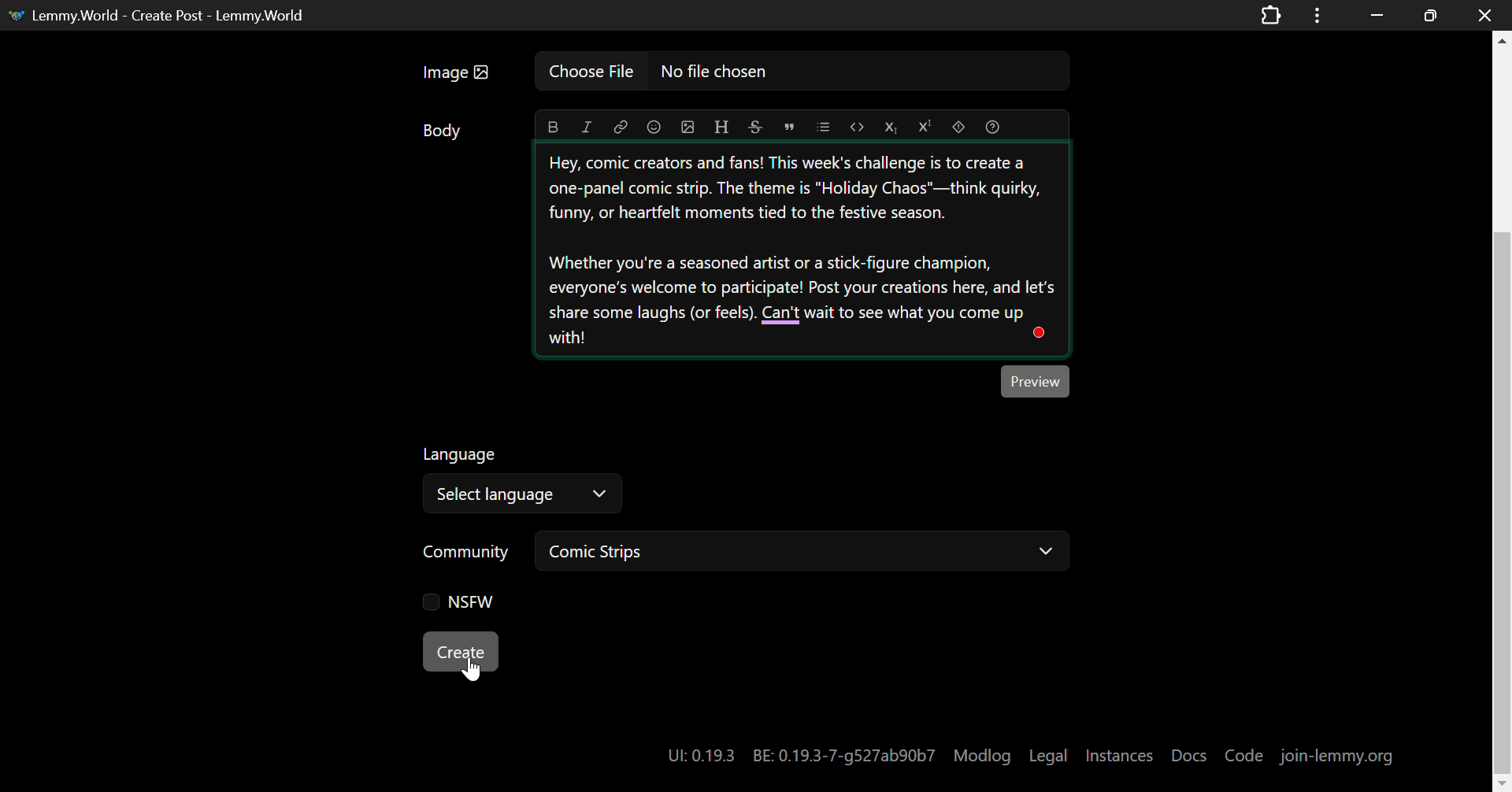 The image size is (1512, 792). What do you see at coordinates (553, 128) in the screenshot?
I see `bold` at bounding box center [553, 128].